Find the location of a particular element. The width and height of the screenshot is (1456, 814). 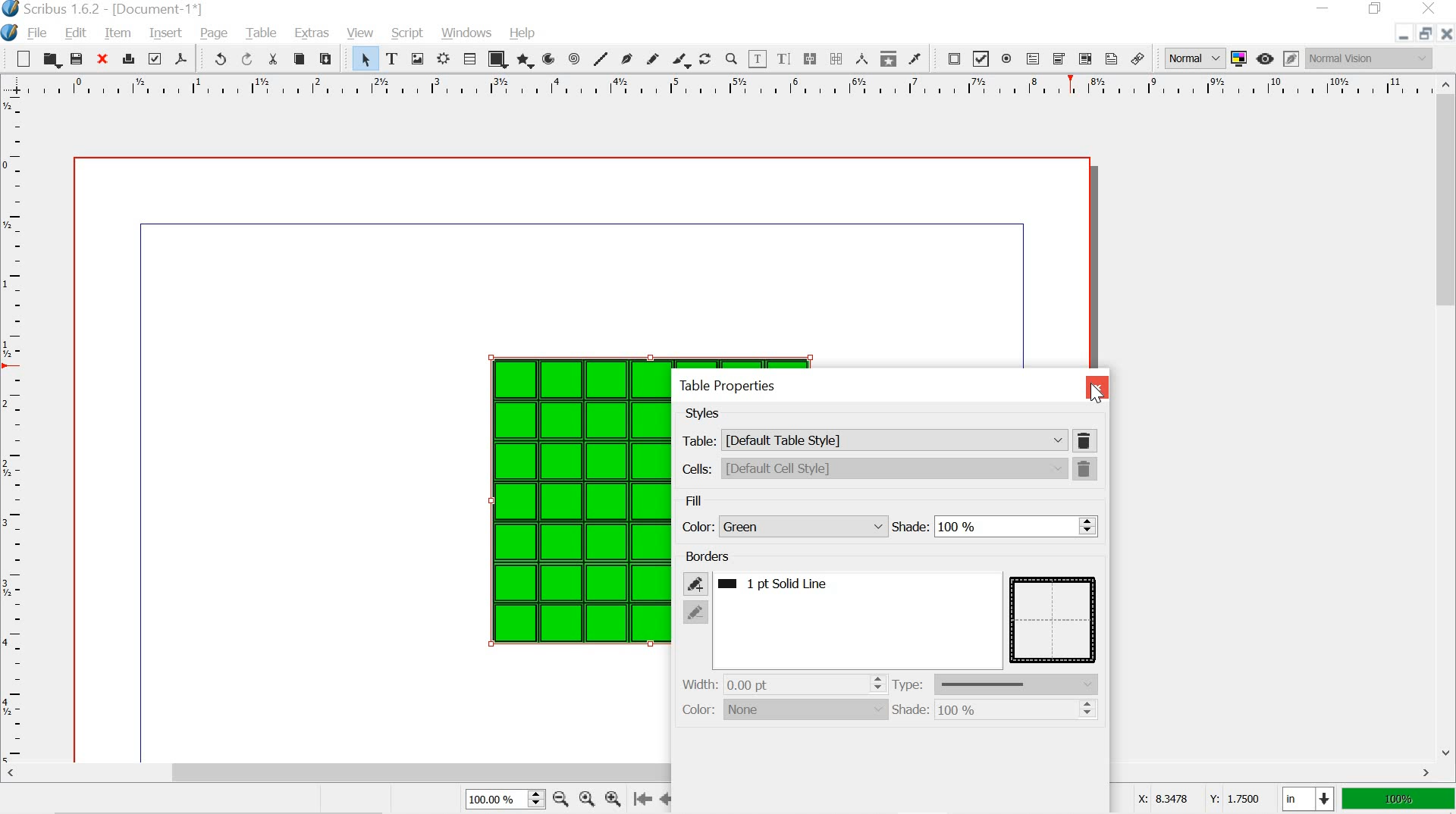

shades change is located at coordinates (1087, 524).